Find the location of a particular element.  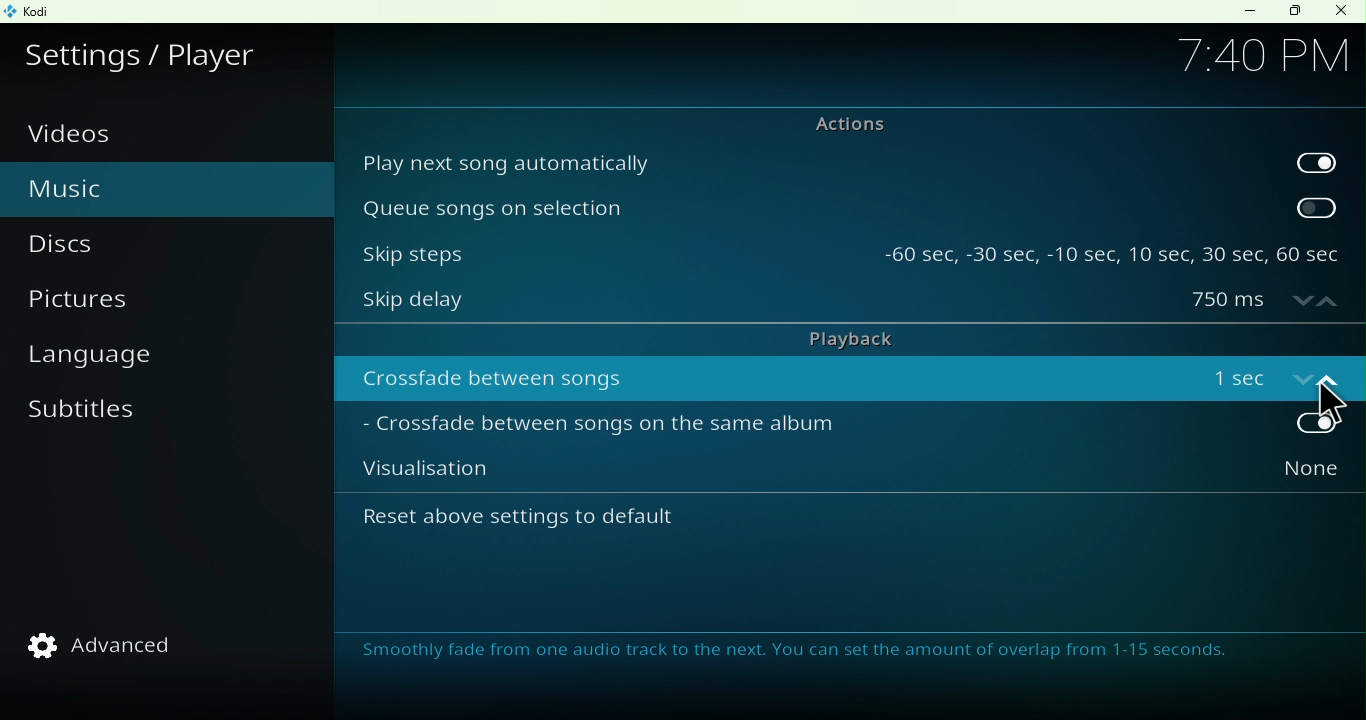

Pictures is located at coordinates (109, 305).